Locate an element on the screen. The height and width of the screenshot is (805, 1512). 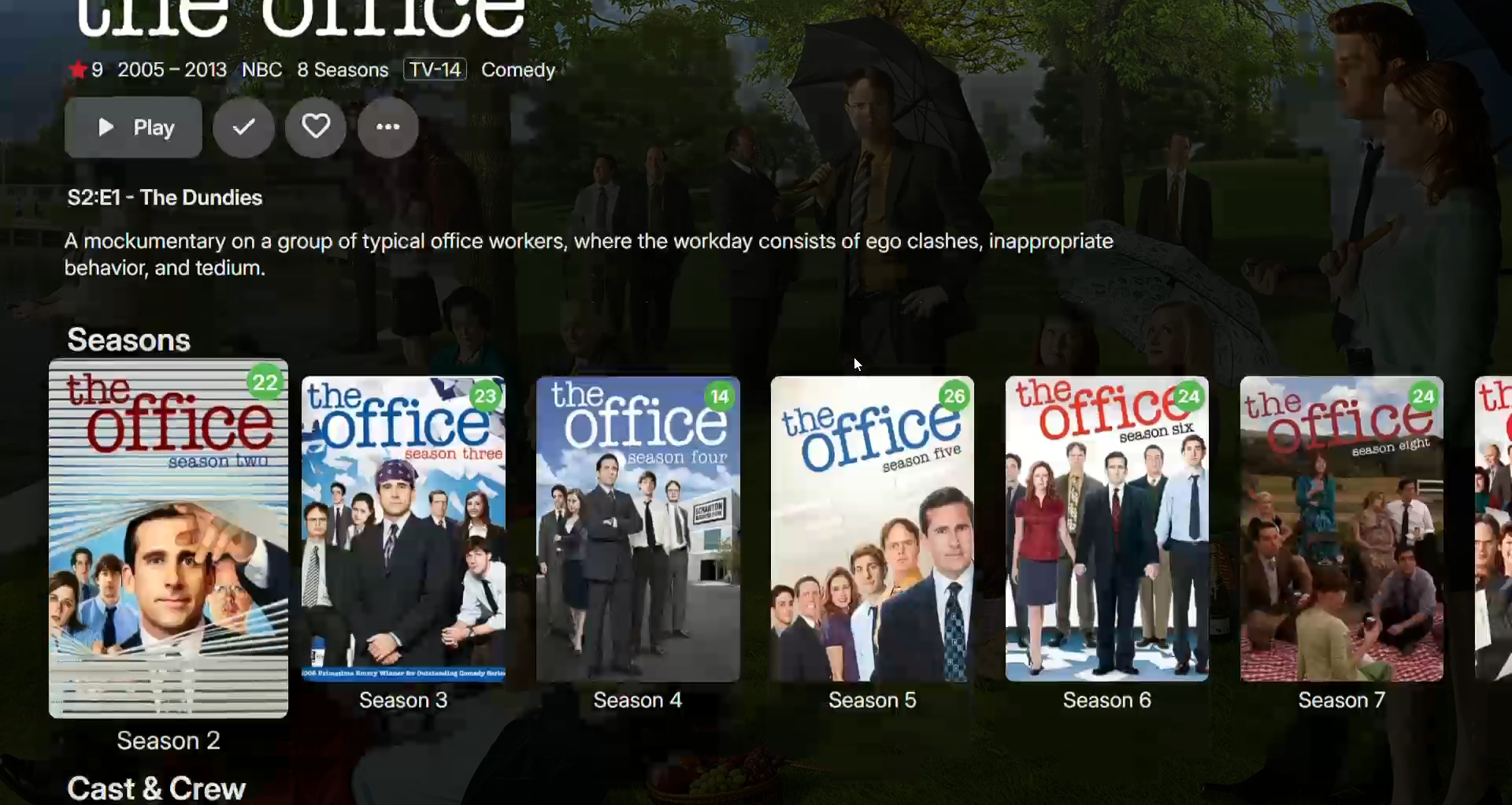
The Office description is located at coordinates (585, 262).